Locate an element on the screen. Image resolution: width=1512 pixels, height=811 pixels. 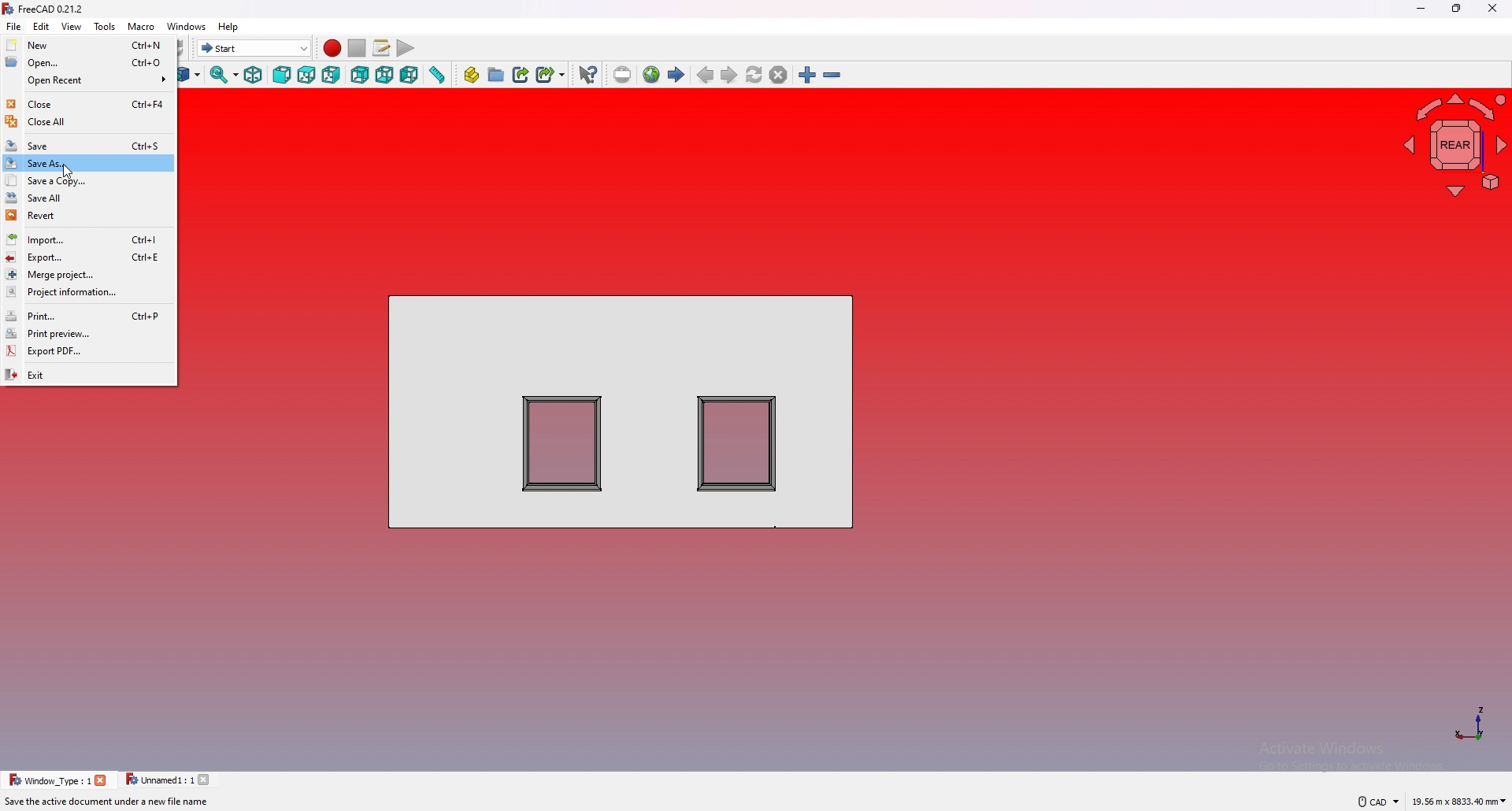
close is located at coordinates (1492, 9).